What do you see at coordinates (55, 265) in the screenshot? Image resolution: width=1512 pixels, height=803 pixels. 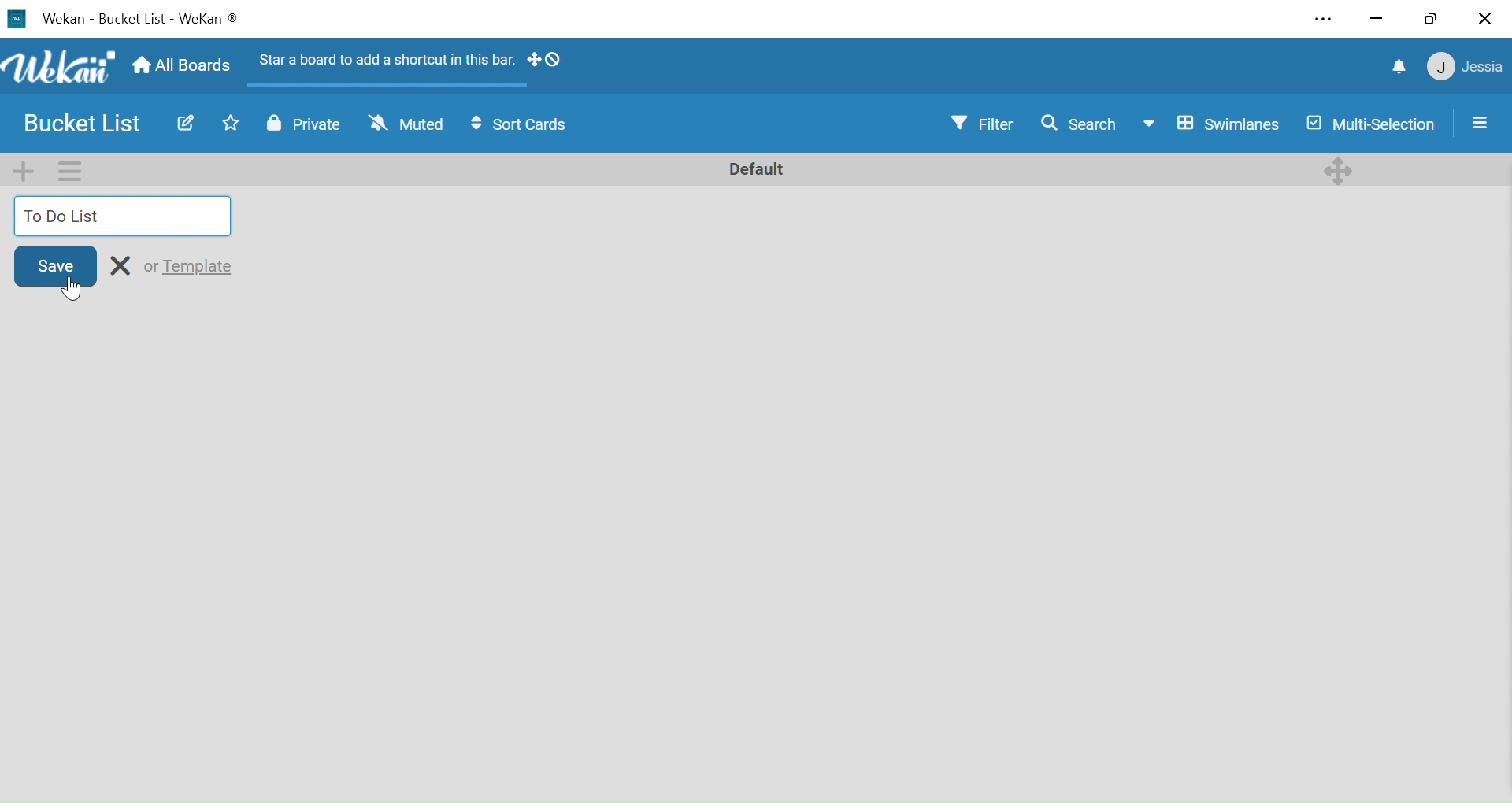 I see `Save` at bounding box center [55, 265].